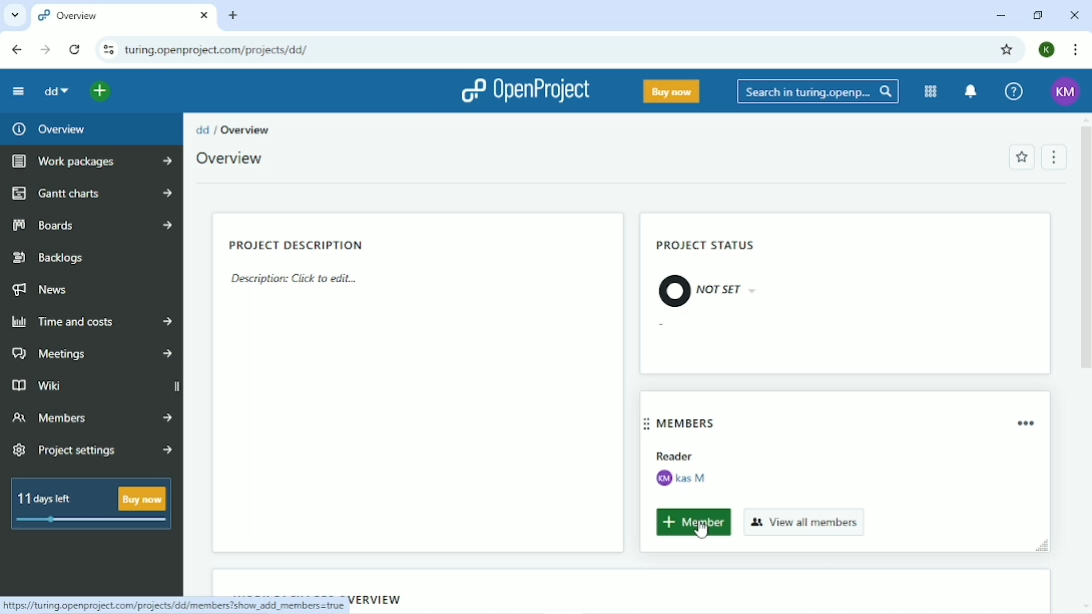  I want to click on News, so click(41, 290).